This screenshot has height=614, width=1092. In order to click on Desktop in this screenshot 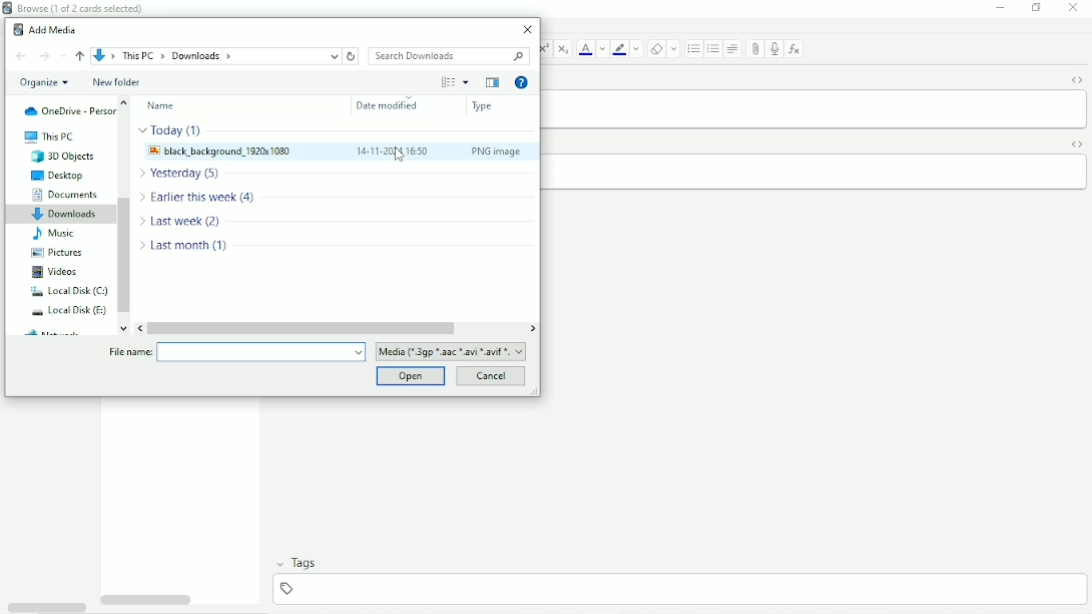, I will do `click(61, 175)`.